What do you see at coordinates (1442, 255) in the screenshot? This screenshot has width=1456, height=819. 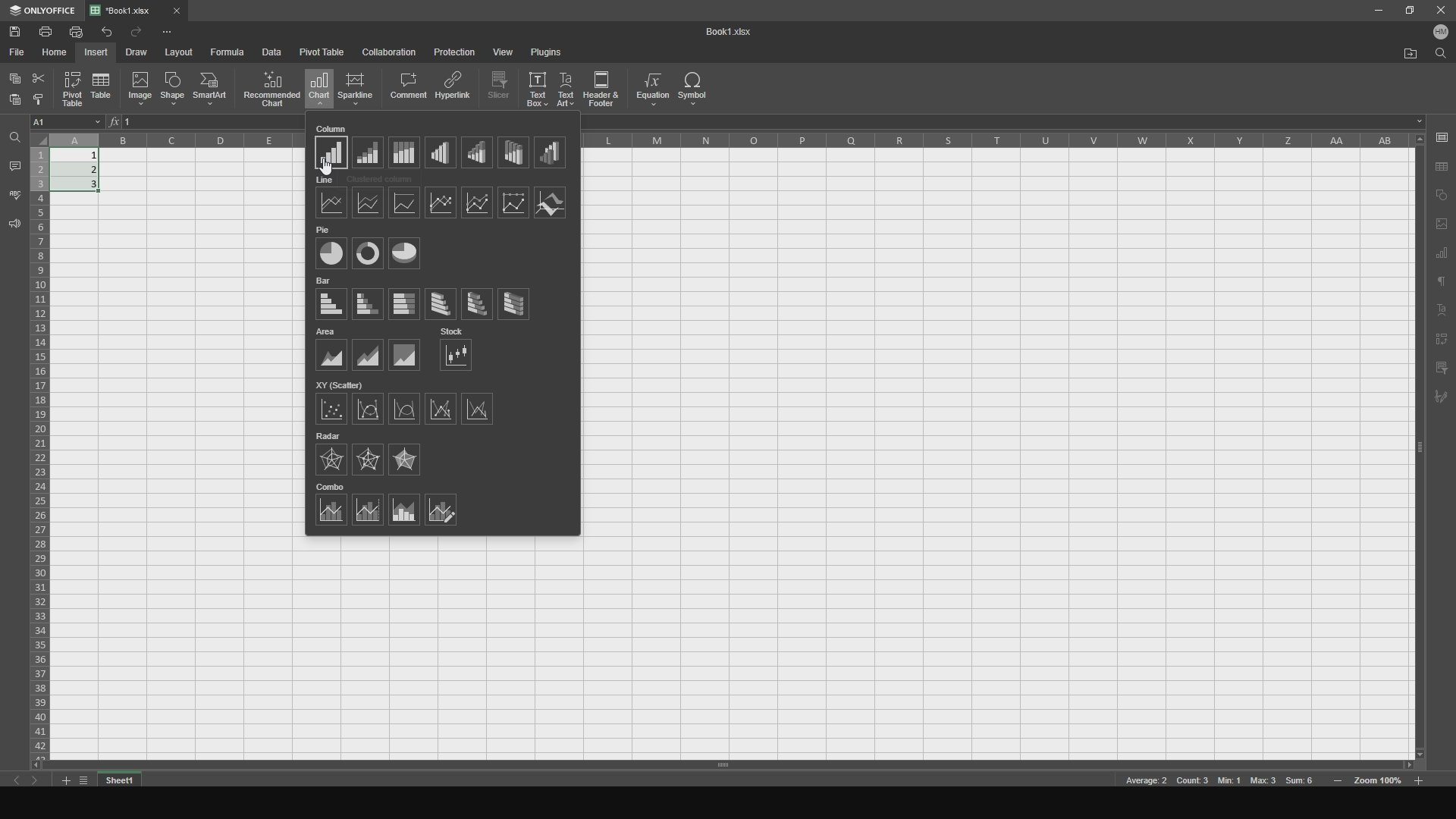 I see `chart` at bounding box center [1442, 255].